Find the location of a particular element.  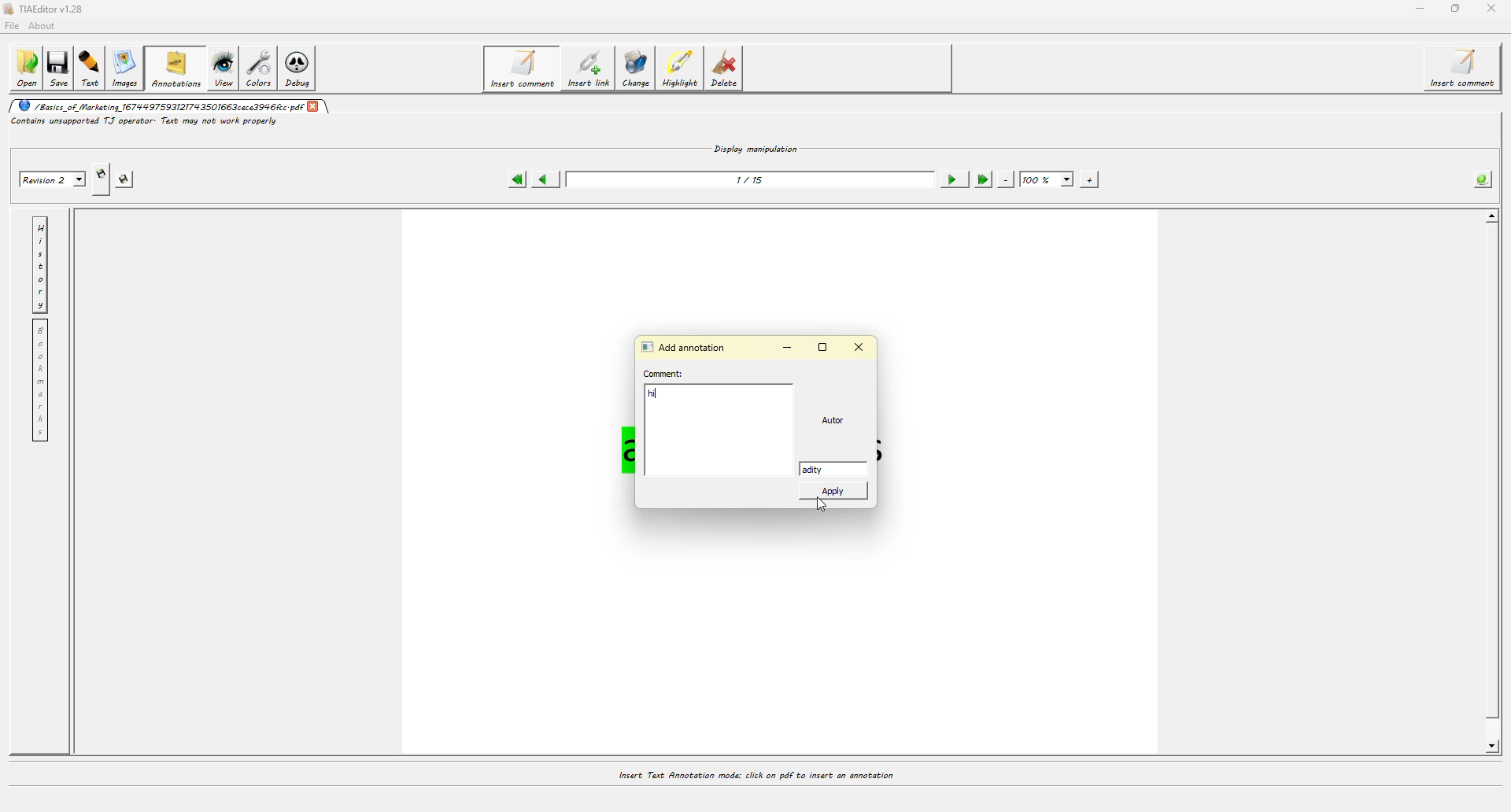

Insert Text Annotation mode: click on pdf to insert an annotation is located at coordinates (755, 775).